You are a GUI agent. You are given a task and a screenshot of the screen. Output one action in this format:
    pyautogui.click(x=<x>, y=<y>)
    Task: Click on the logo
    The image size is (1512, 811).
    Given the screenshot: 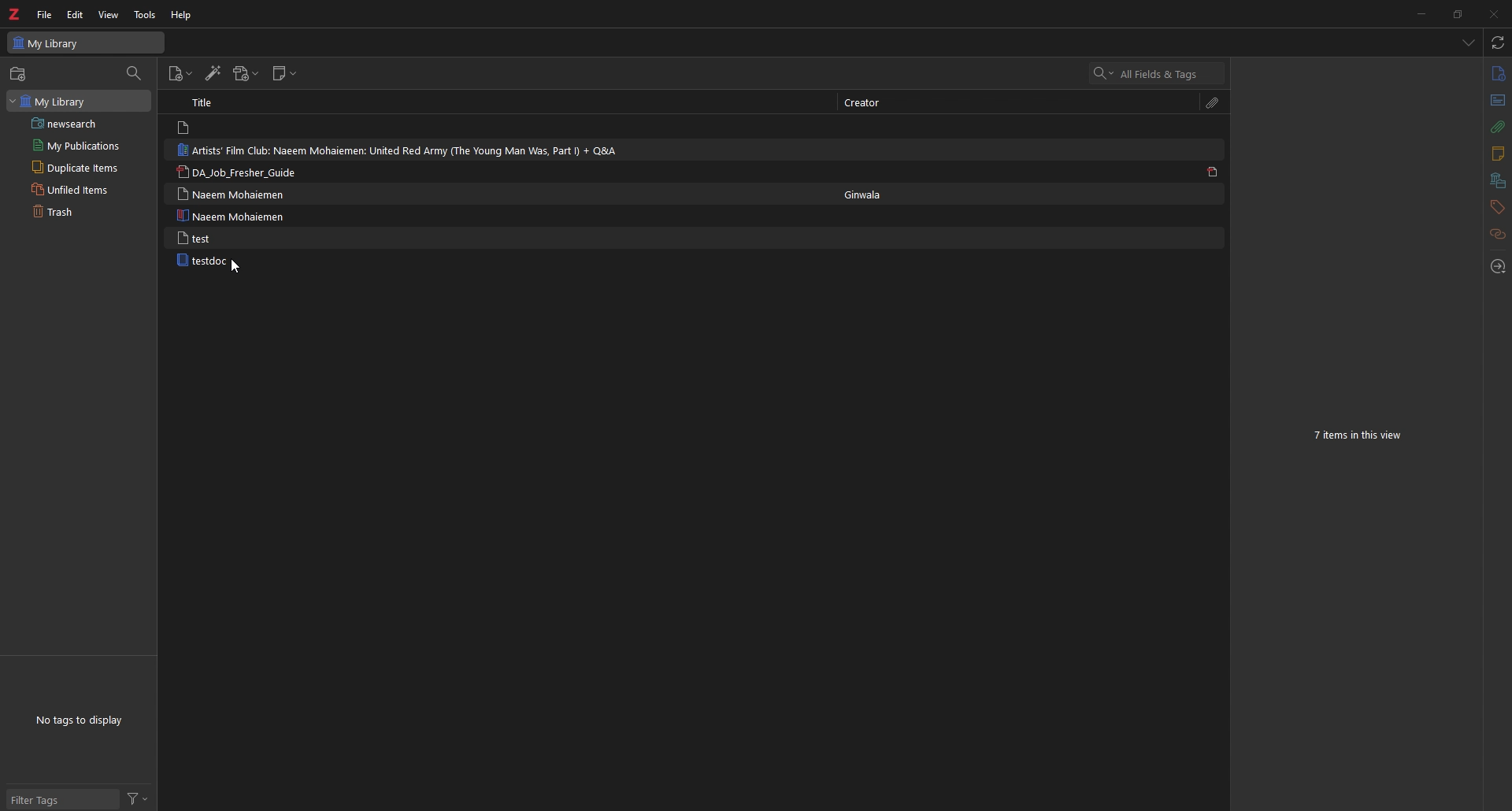 What is the action you would take?
    pyautogui.click(x=16, y=14)
    